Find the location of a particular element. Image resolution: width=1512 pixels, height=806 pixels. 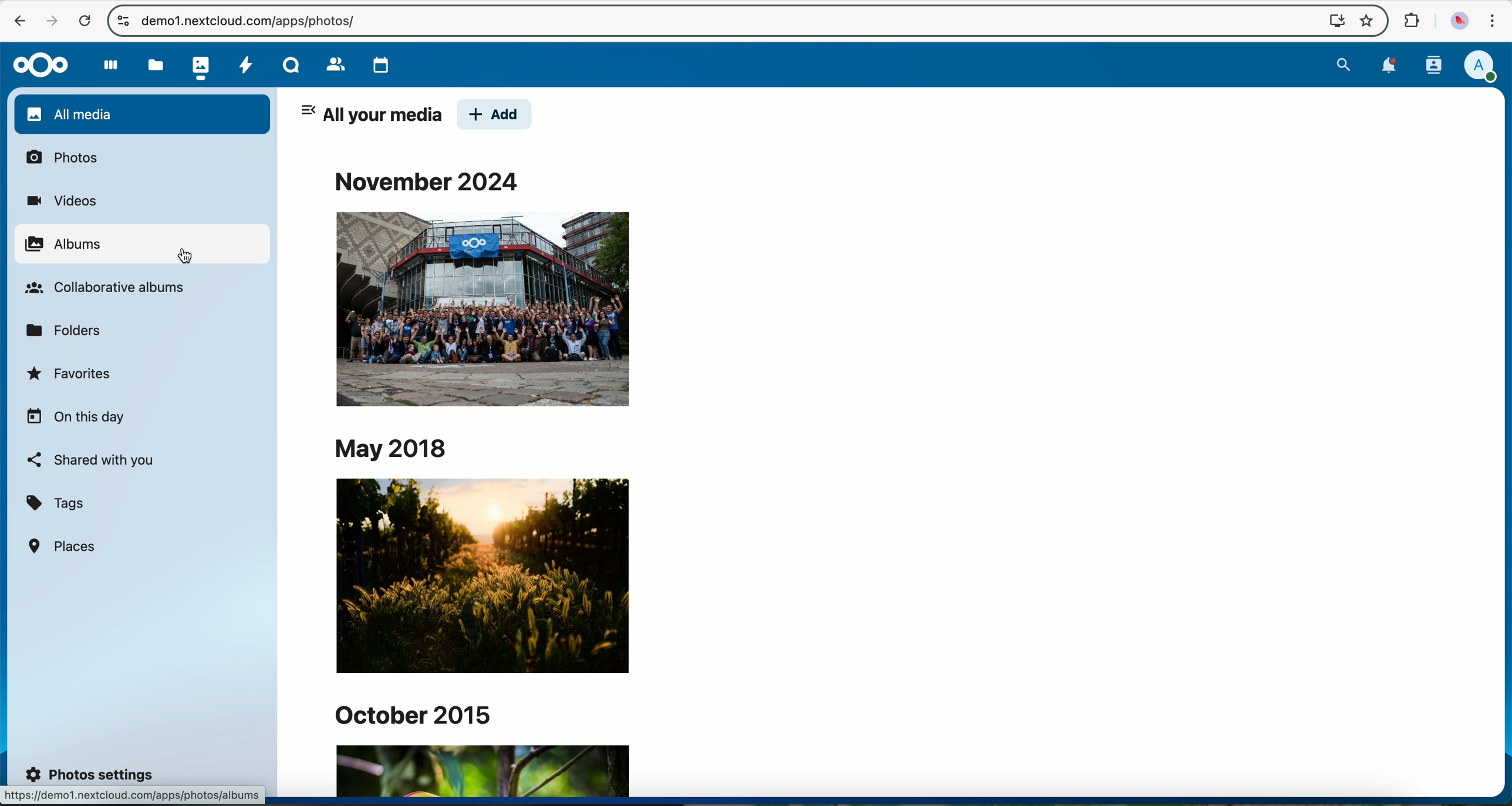

favorites is located at coordinates (71, 377).